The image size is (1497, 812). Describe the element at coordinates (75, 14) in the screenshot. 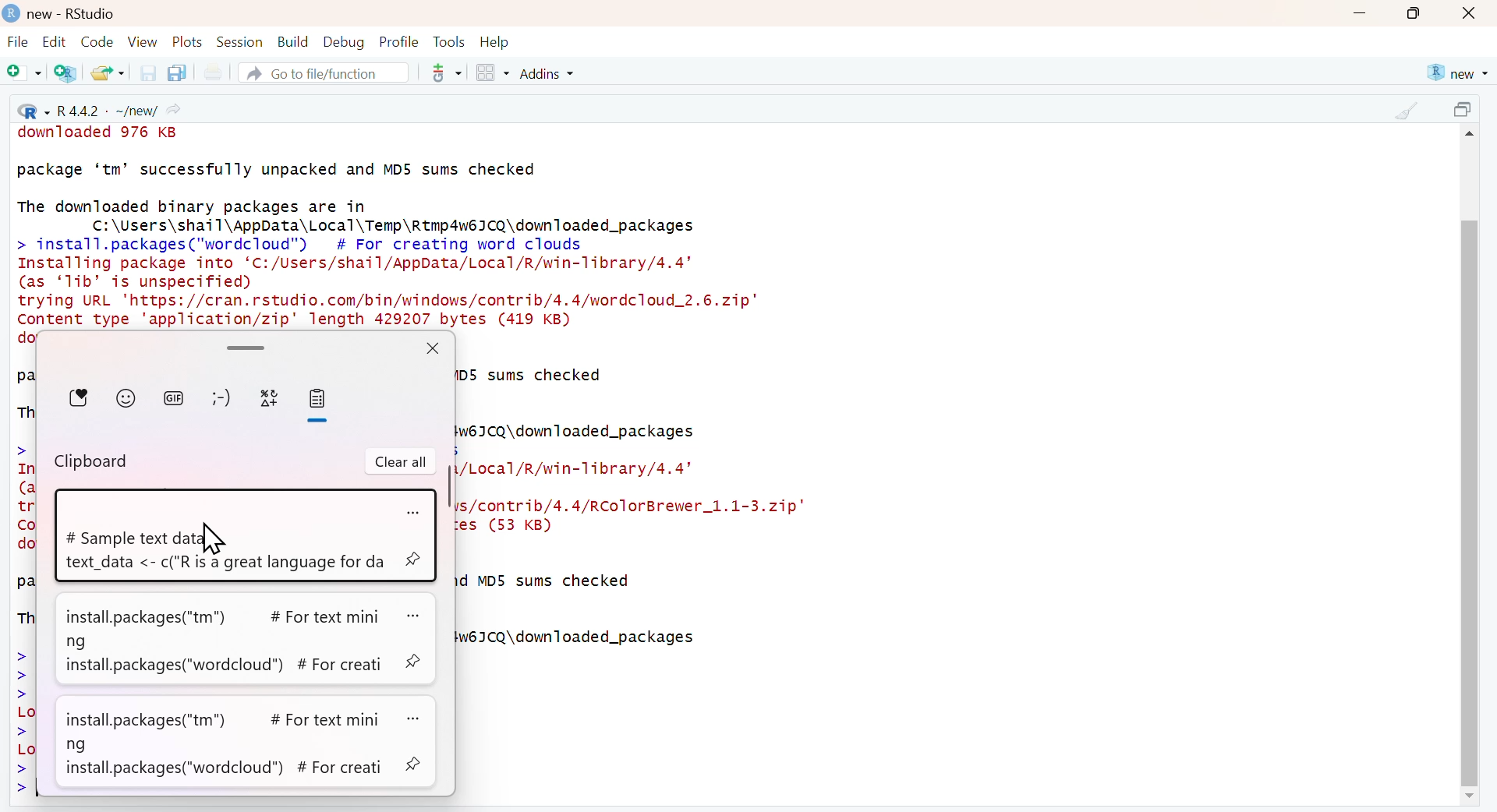

I see `new - RStudio` at that location.